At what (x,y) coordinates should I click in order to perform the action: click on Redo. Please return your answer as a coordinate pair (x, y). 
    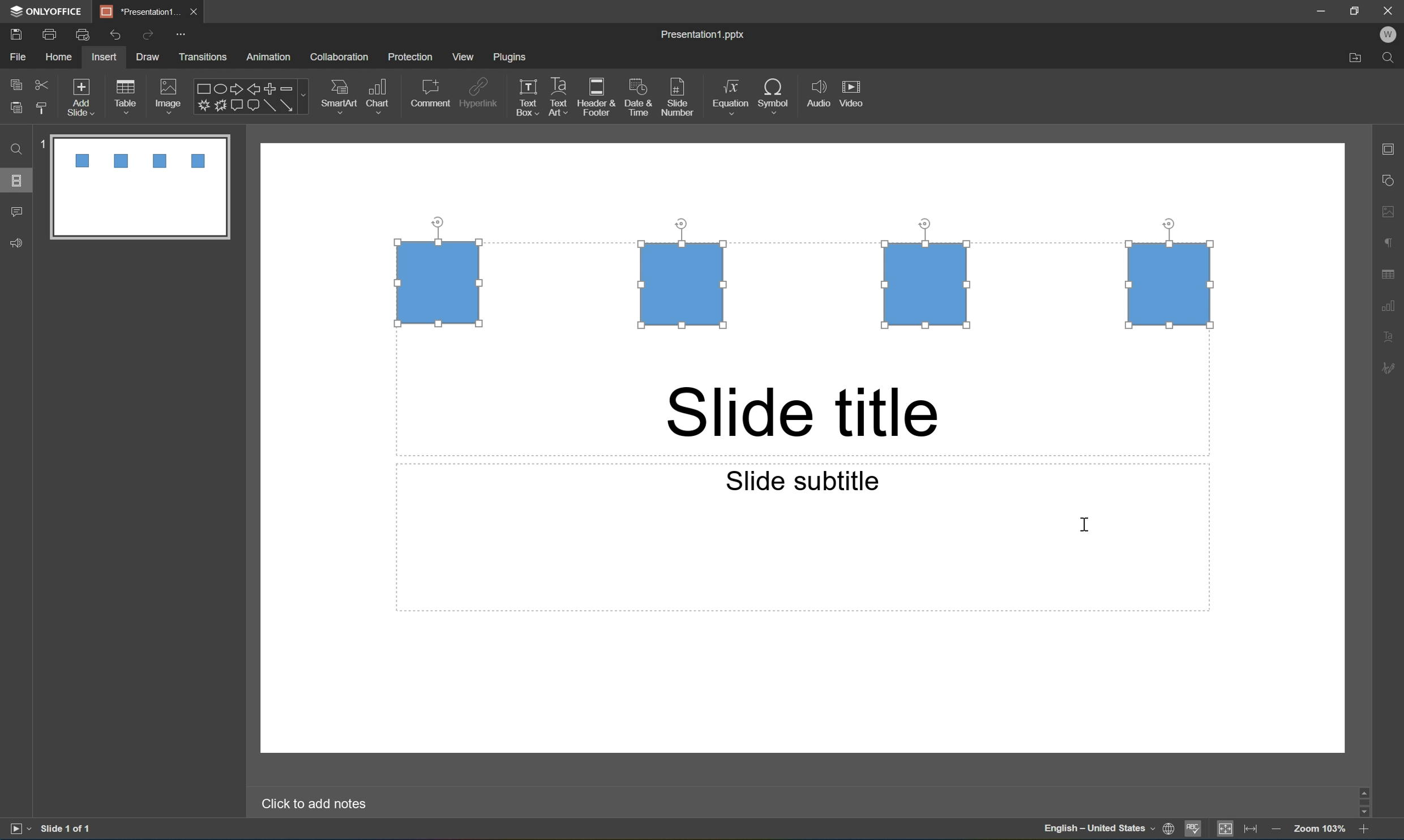
    Looking at the image, I should click on (148, 36).